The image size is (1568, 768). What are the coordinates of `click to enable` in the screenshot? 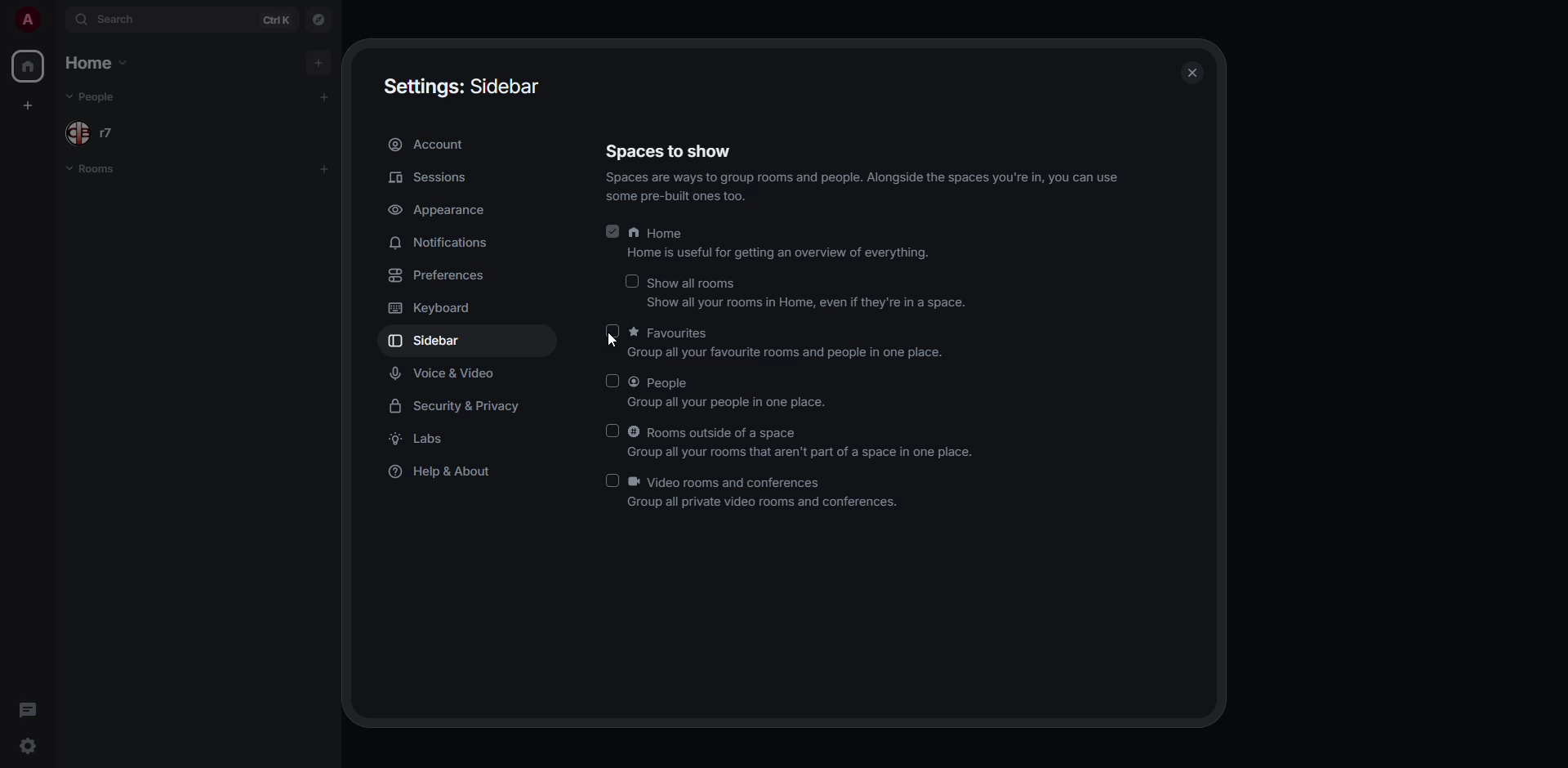 It's located at (615, 380).